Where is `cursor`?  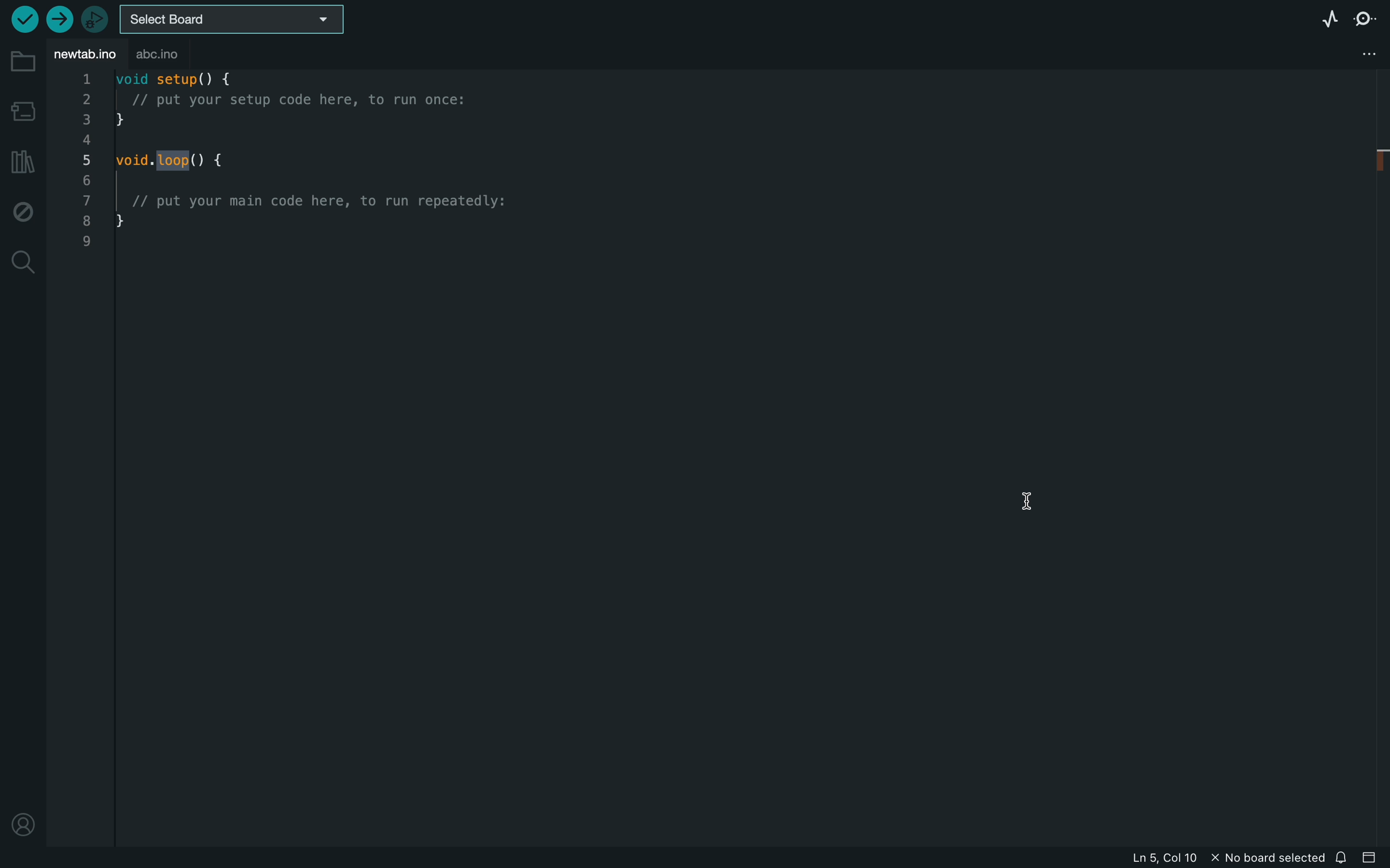 cursor is located at coordinates (1025, 502).